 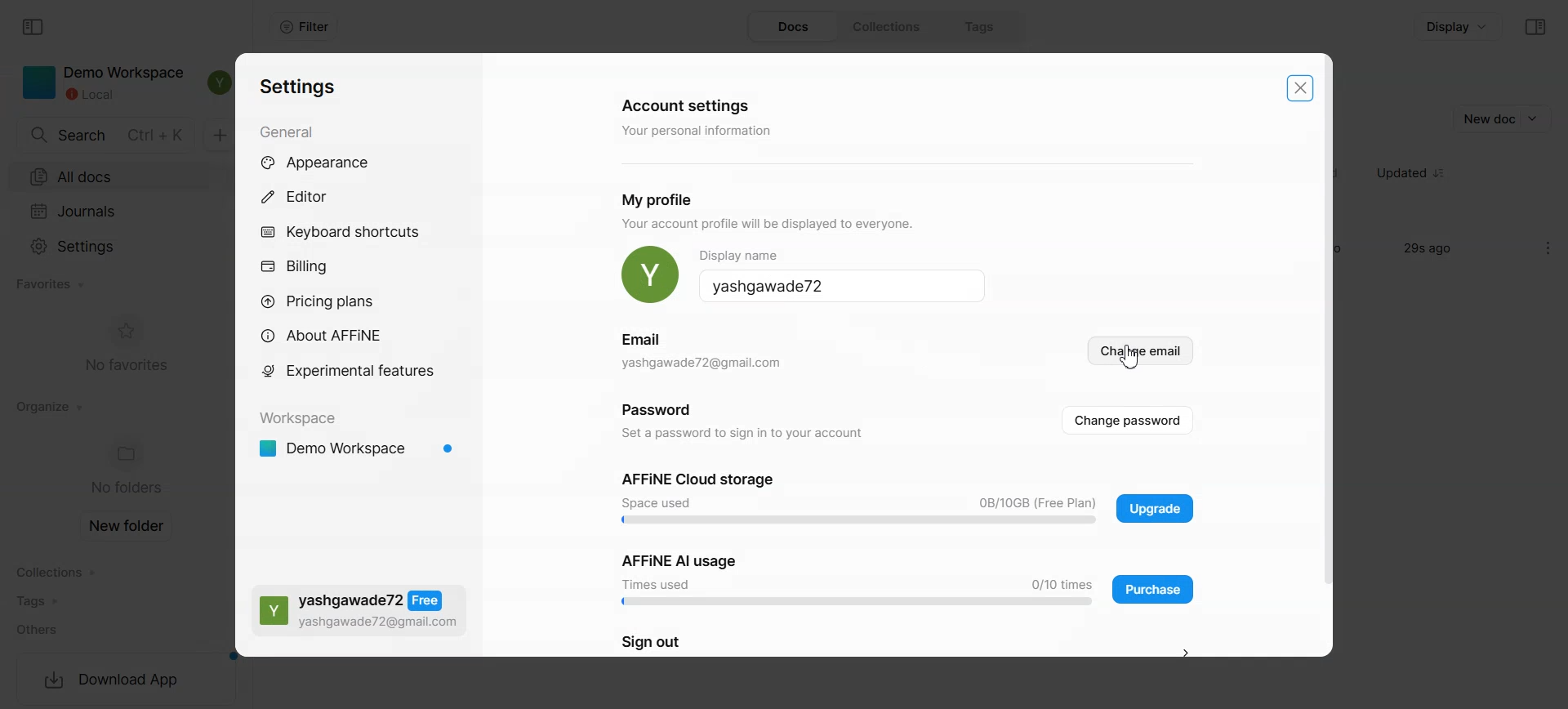 I want to click on Usage display bar, so click(x=859, y=510).